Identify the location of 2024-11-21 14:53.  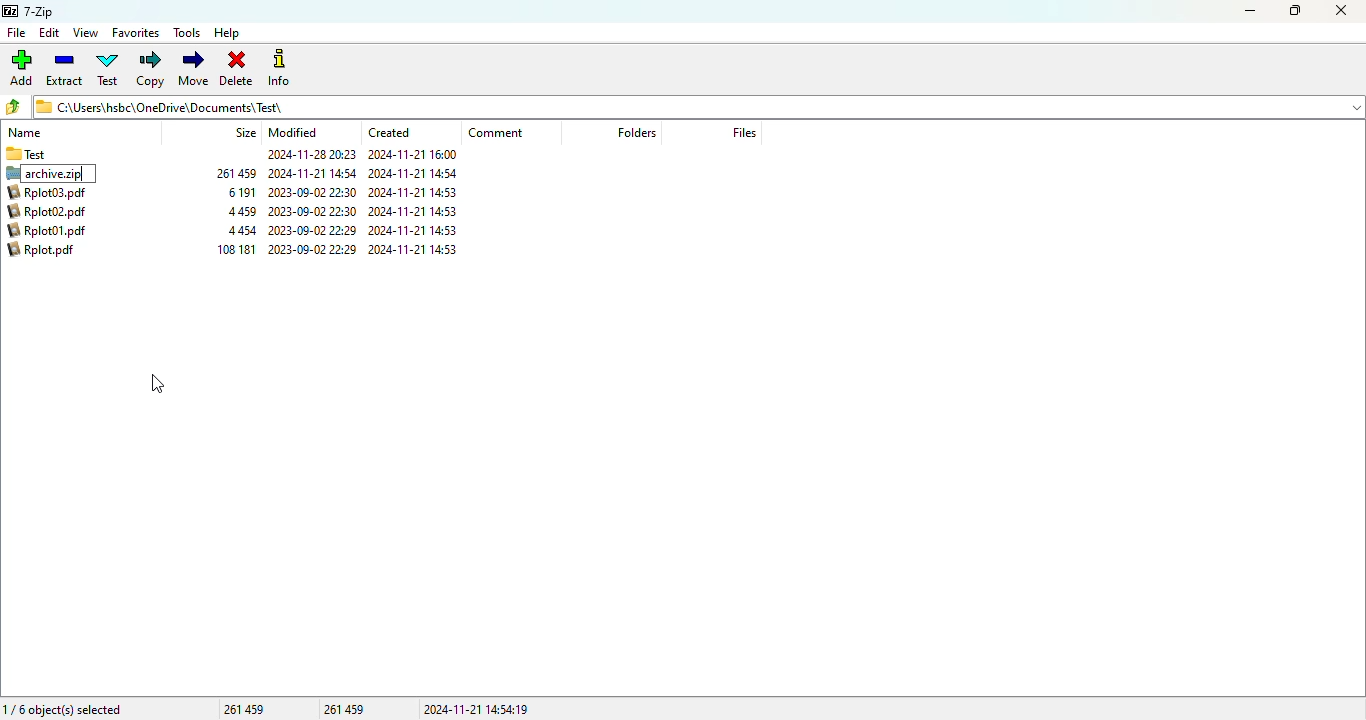
(416, 249).